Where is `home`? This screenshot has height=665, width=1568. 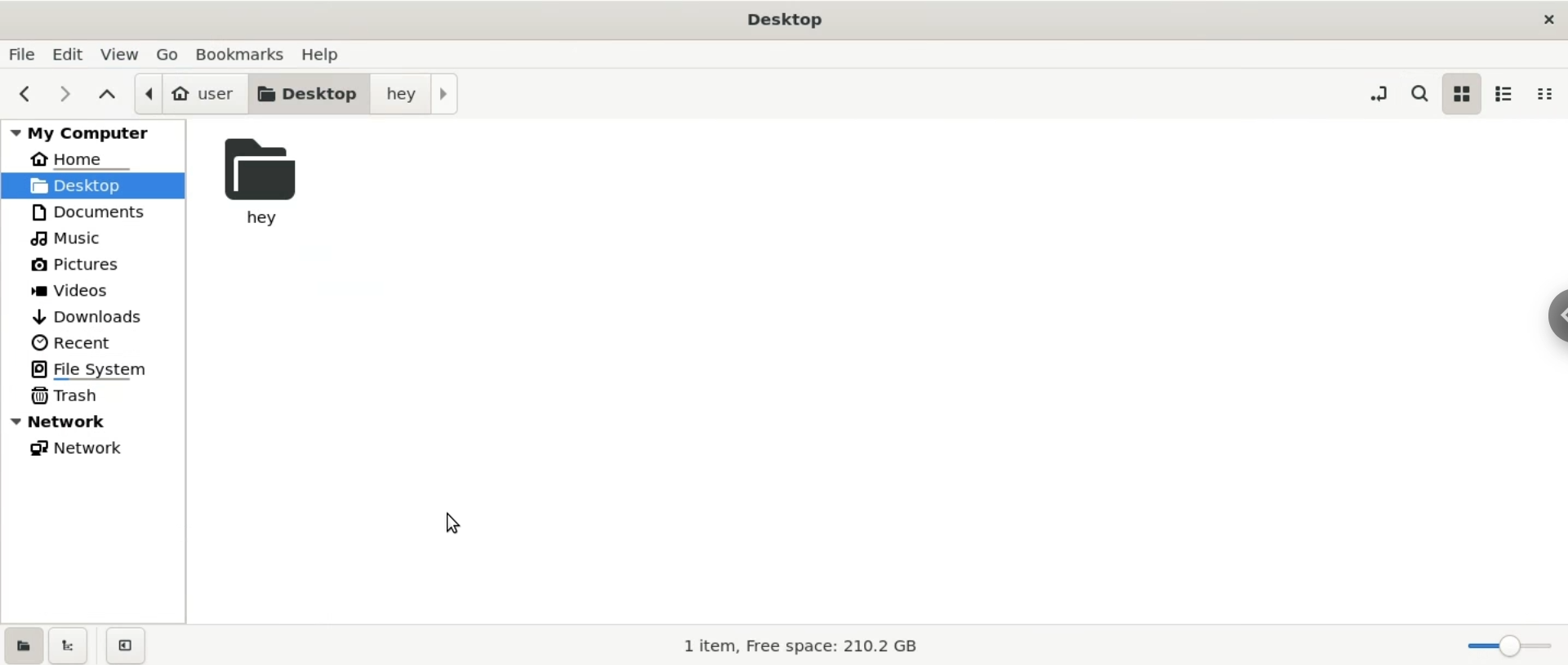 home is located at coordinates (99, 161).